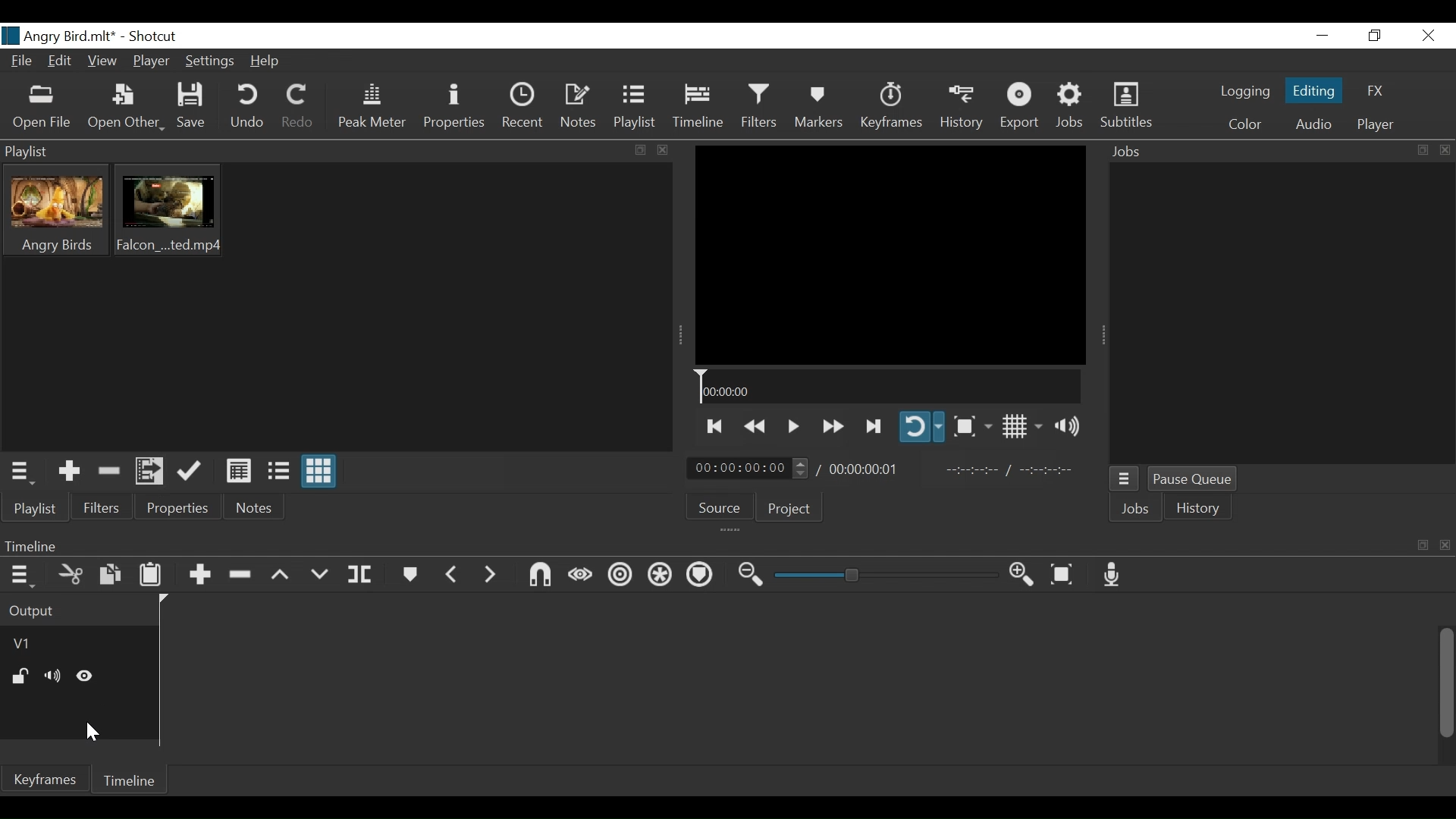 The height and width of the screenshot is (819, 1456). Describe the element at coordinates (1312, 91) in the screenshot. I see `Editing` at that location.